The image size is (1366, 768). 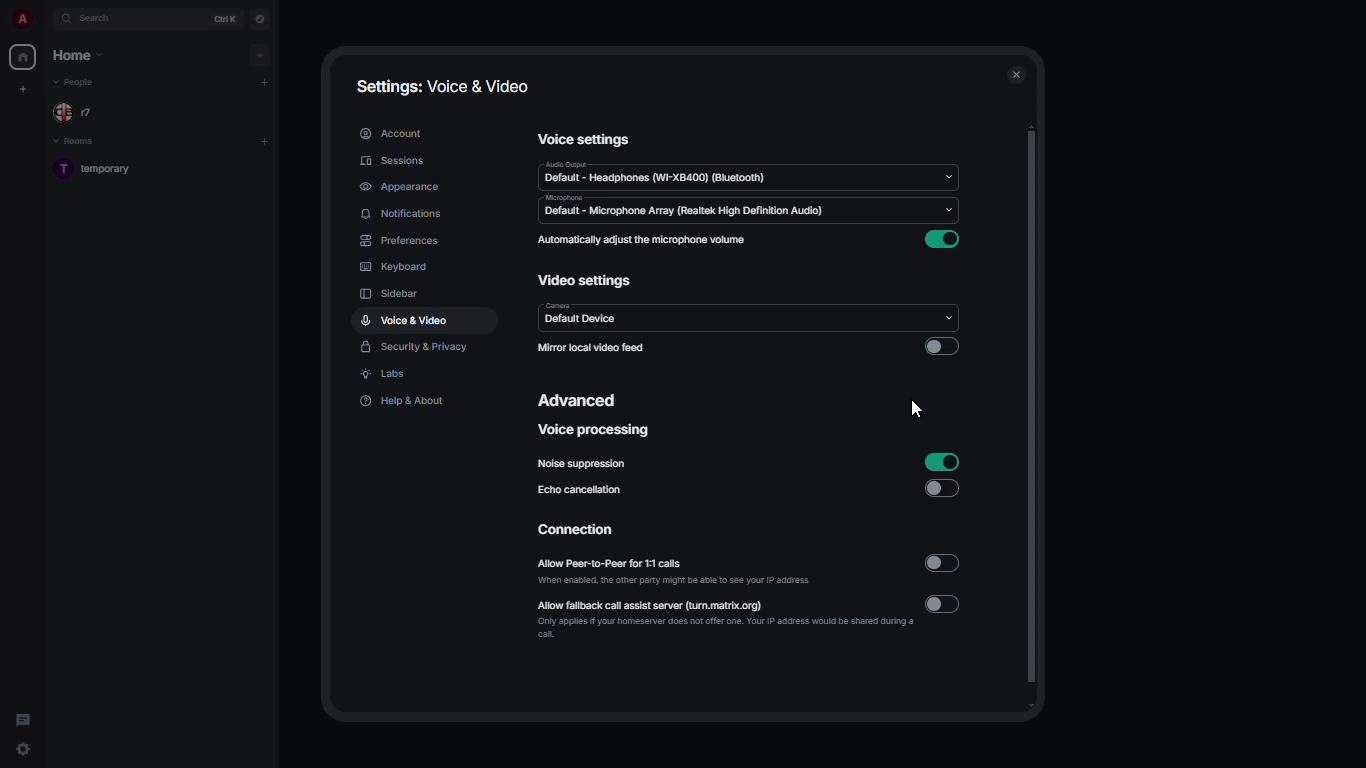 I want to click on allow peer-to-peer for 1:1 calls, so click(x=677, y=573).